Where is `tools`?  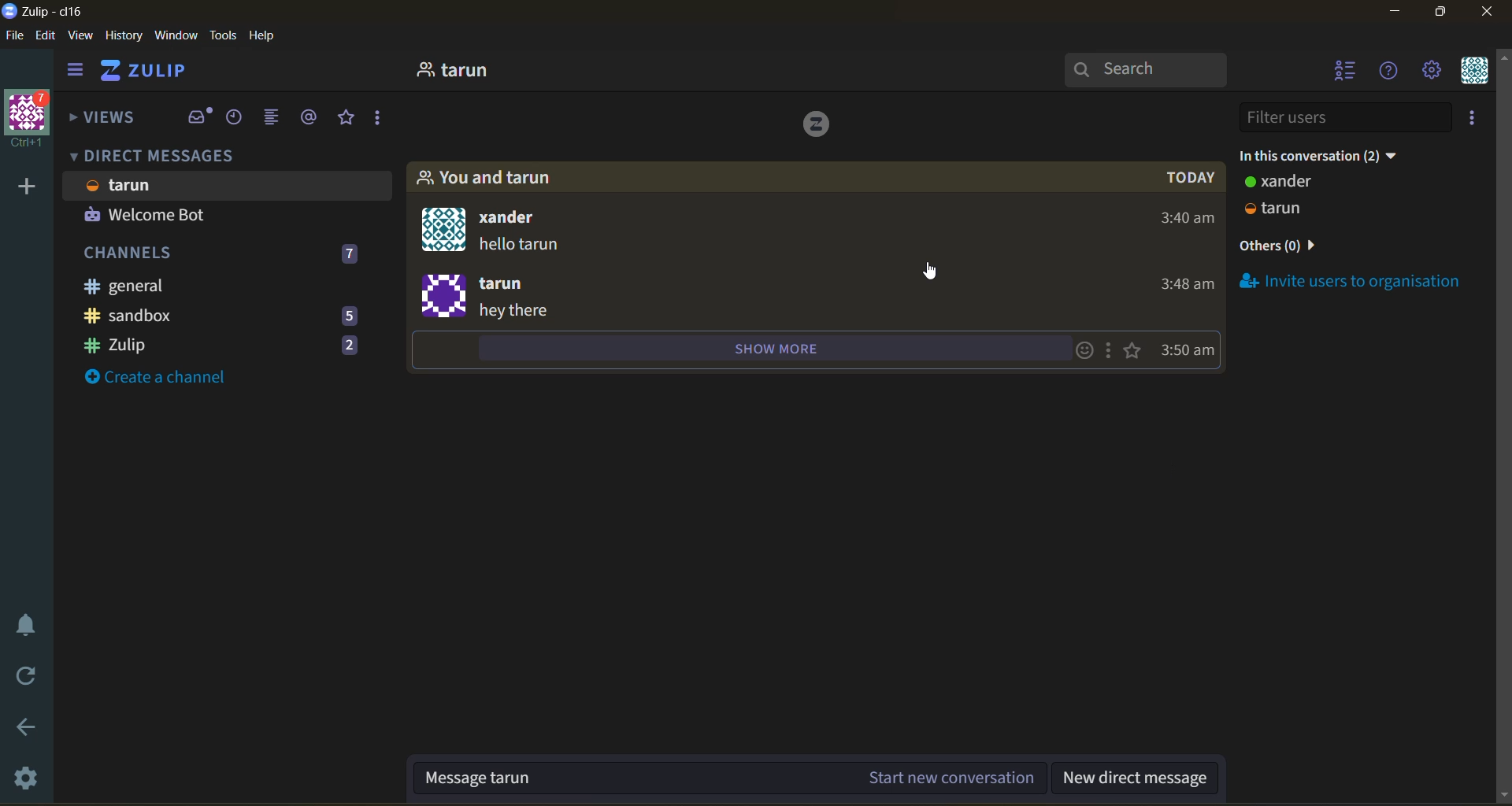 tools is located at coordinates (223, 35).